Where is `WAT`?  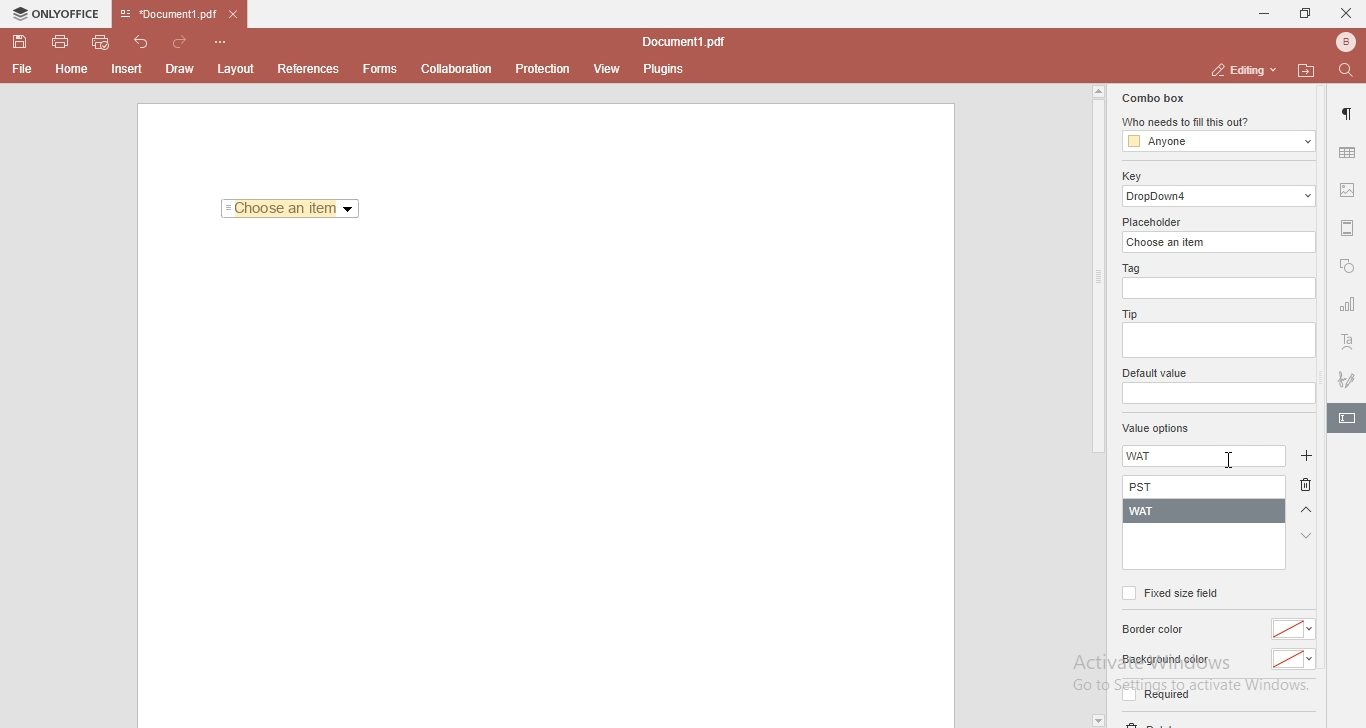
WAT is located at coordinates (1149, 457).